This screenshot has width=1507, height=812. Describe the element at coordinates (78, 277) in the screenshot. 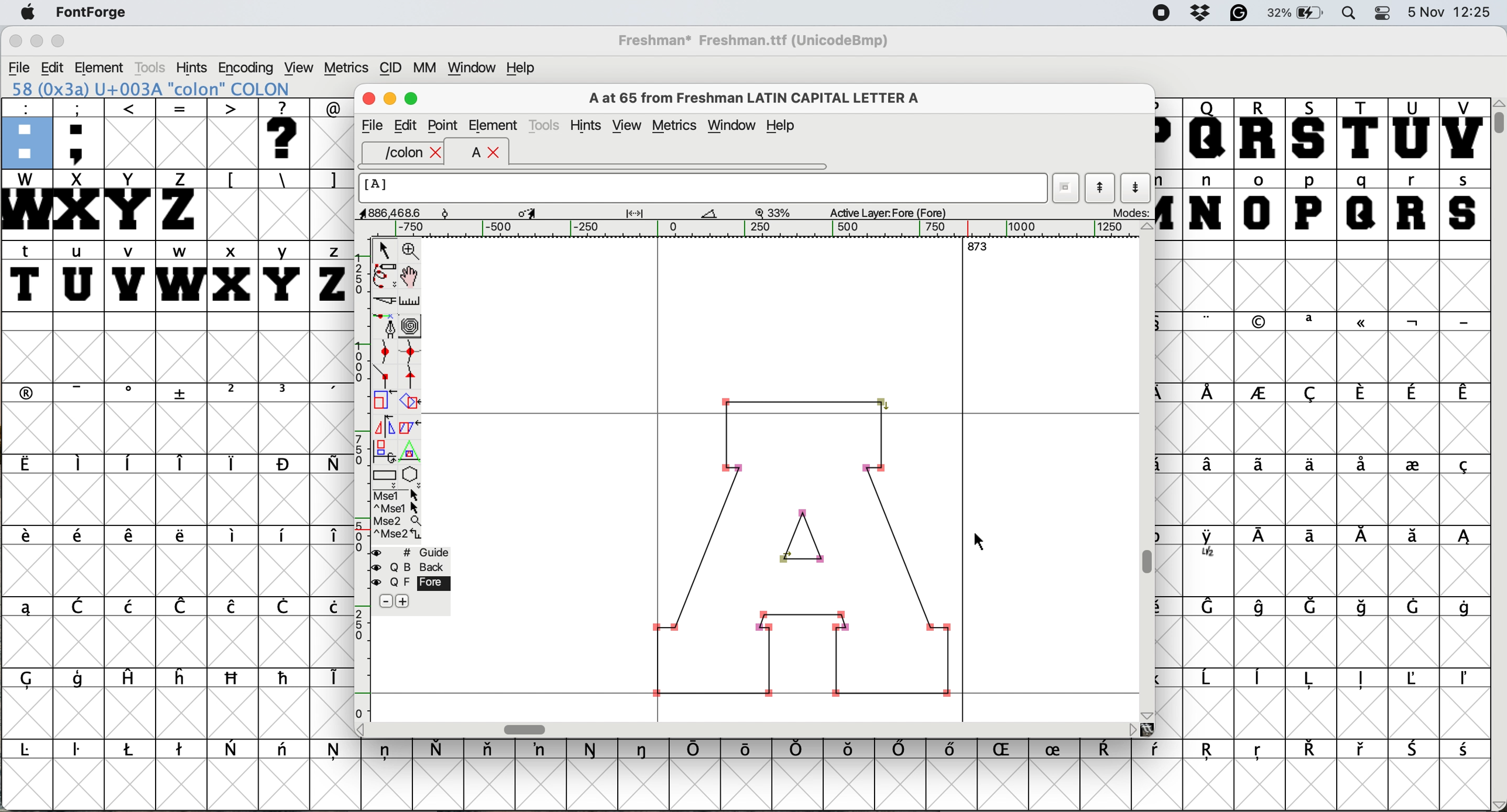

I see `u` at that location.